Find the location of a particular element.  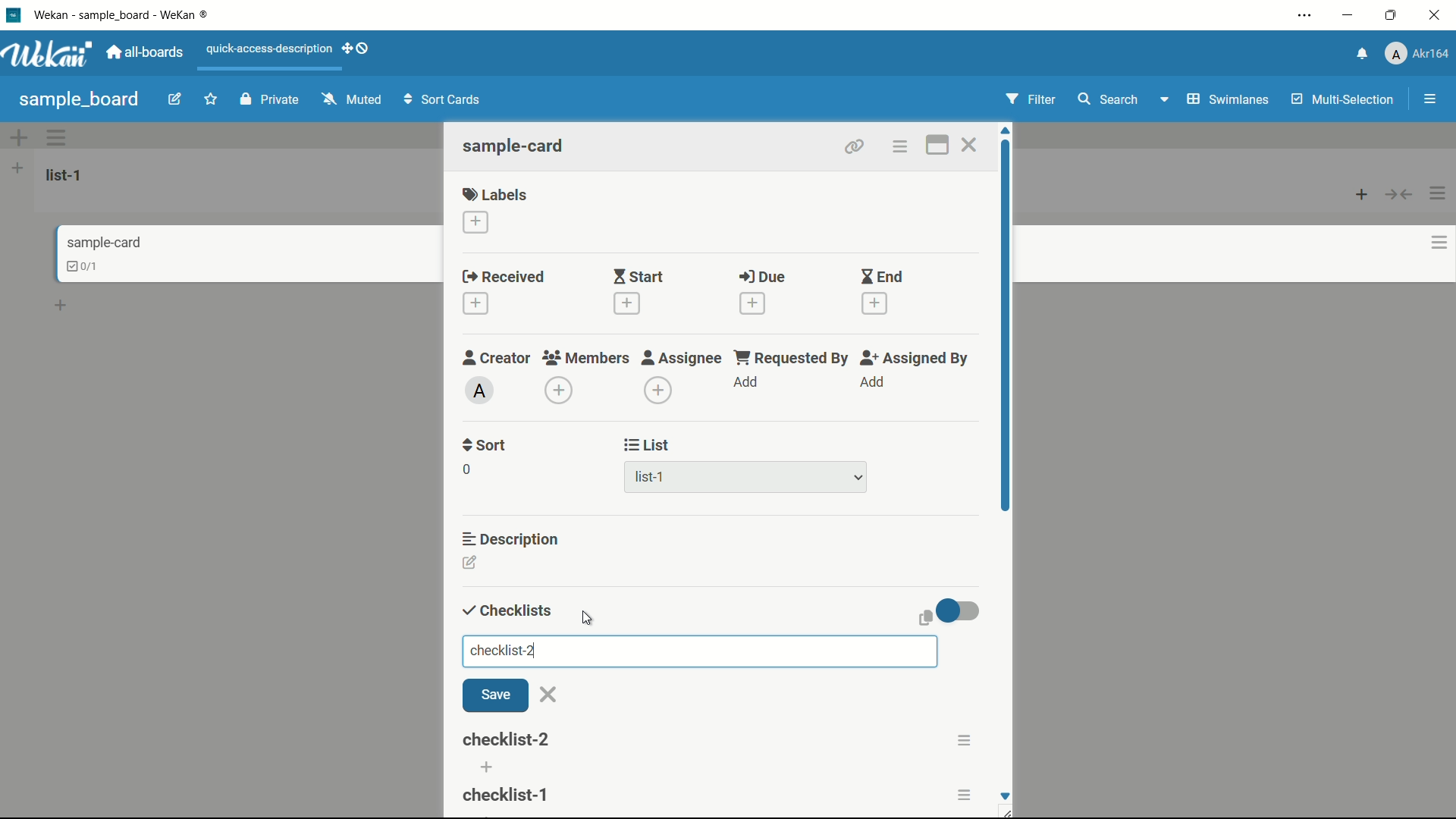

dropdown is located at coordinates (858, 479).